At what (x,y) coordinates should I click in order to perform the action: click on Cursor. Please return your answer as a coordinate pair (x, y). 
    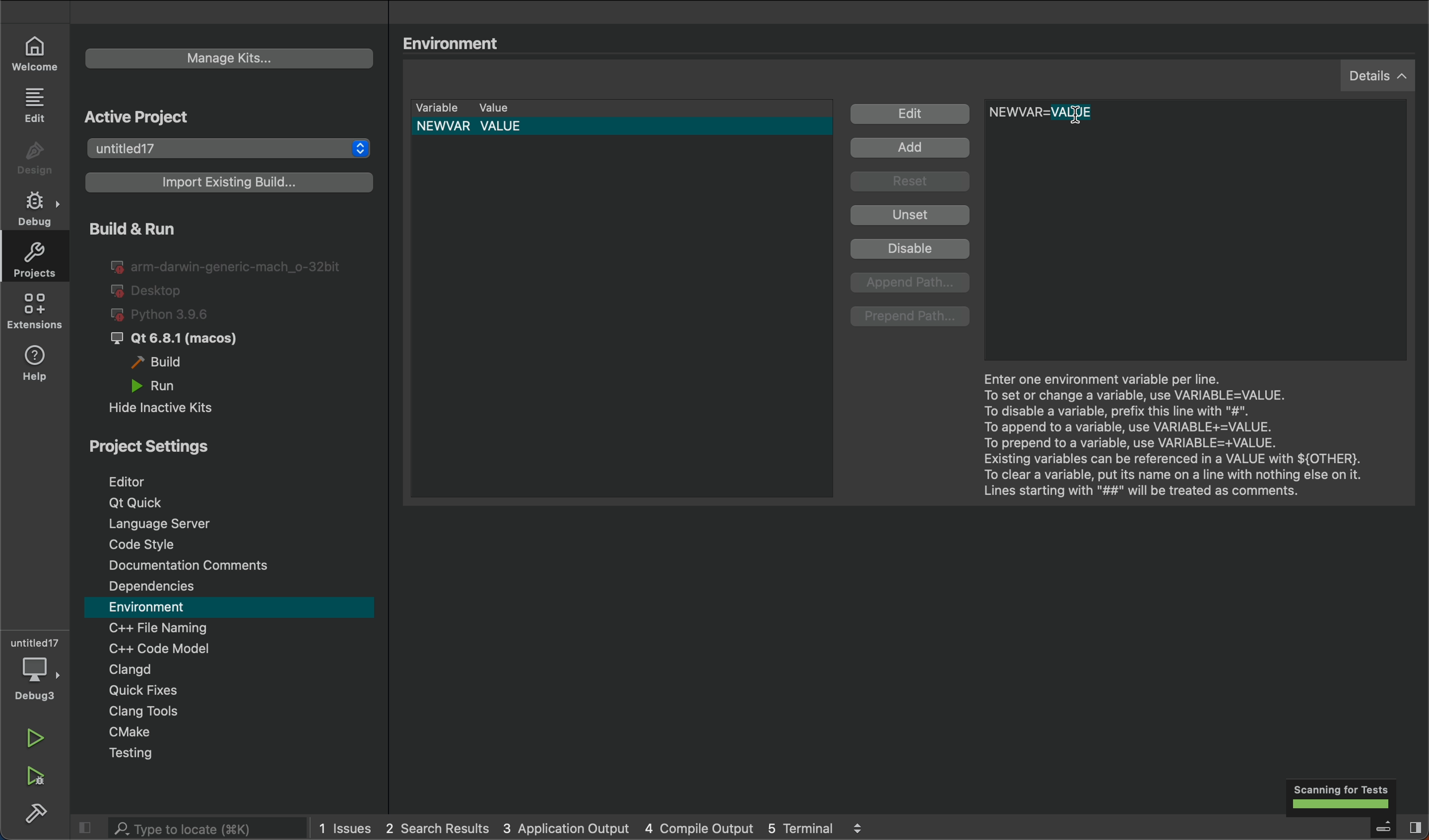
    Looking at the image, I should click on (1073, 116).